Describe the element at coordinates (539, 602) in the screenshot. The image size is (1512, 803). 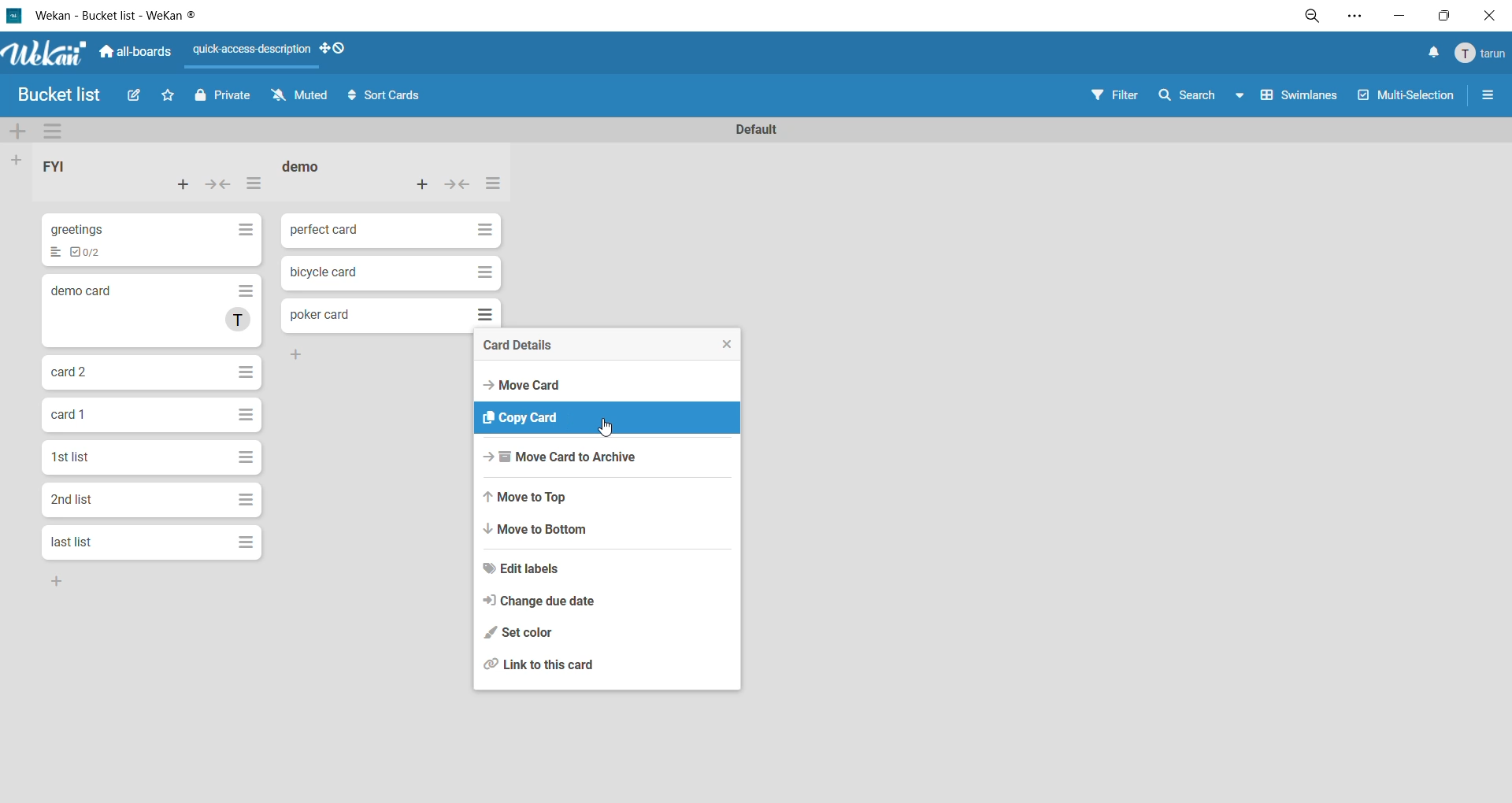
I see `change due date` at that location.